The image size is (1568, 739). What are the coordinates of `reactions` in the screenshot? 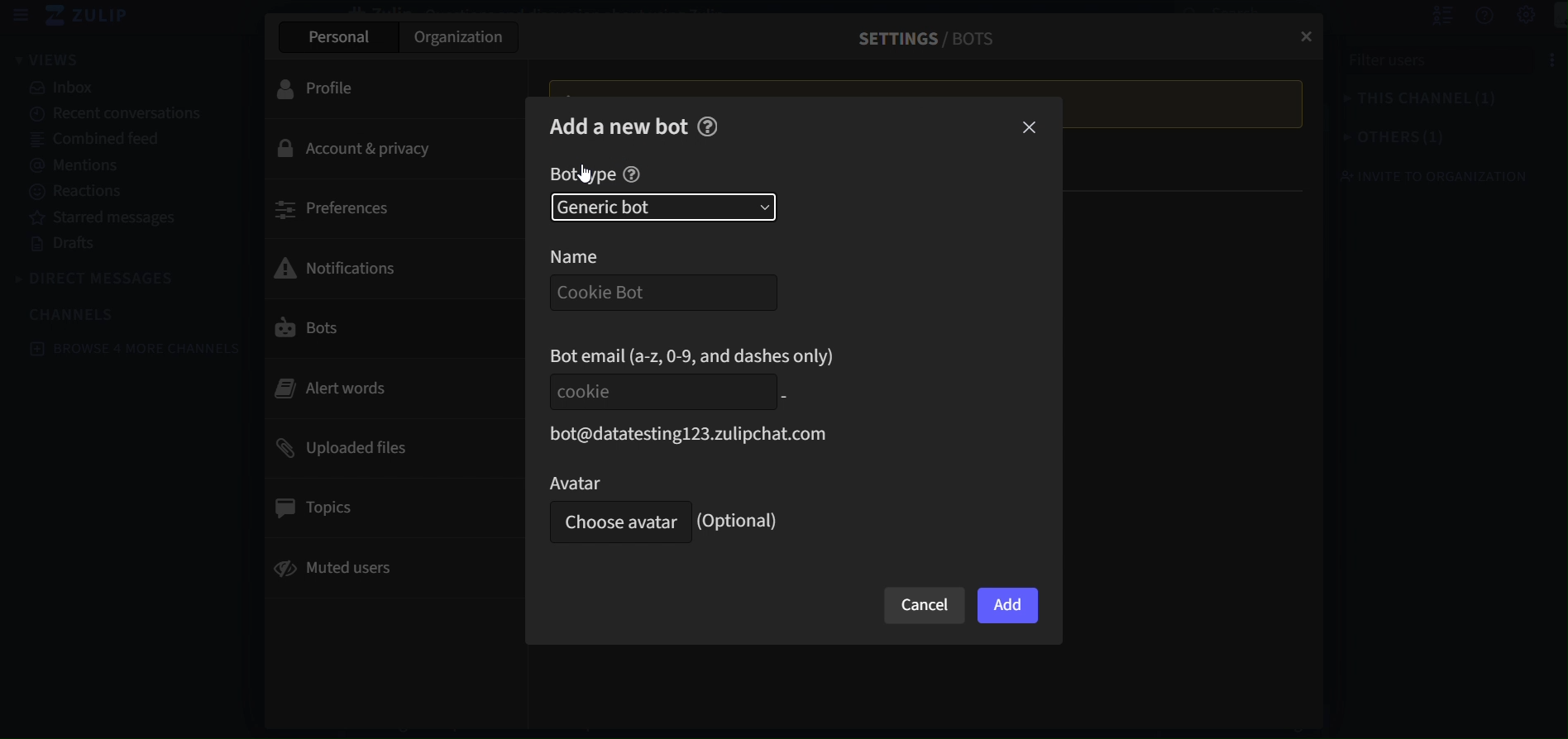 It's located at (120, 192).